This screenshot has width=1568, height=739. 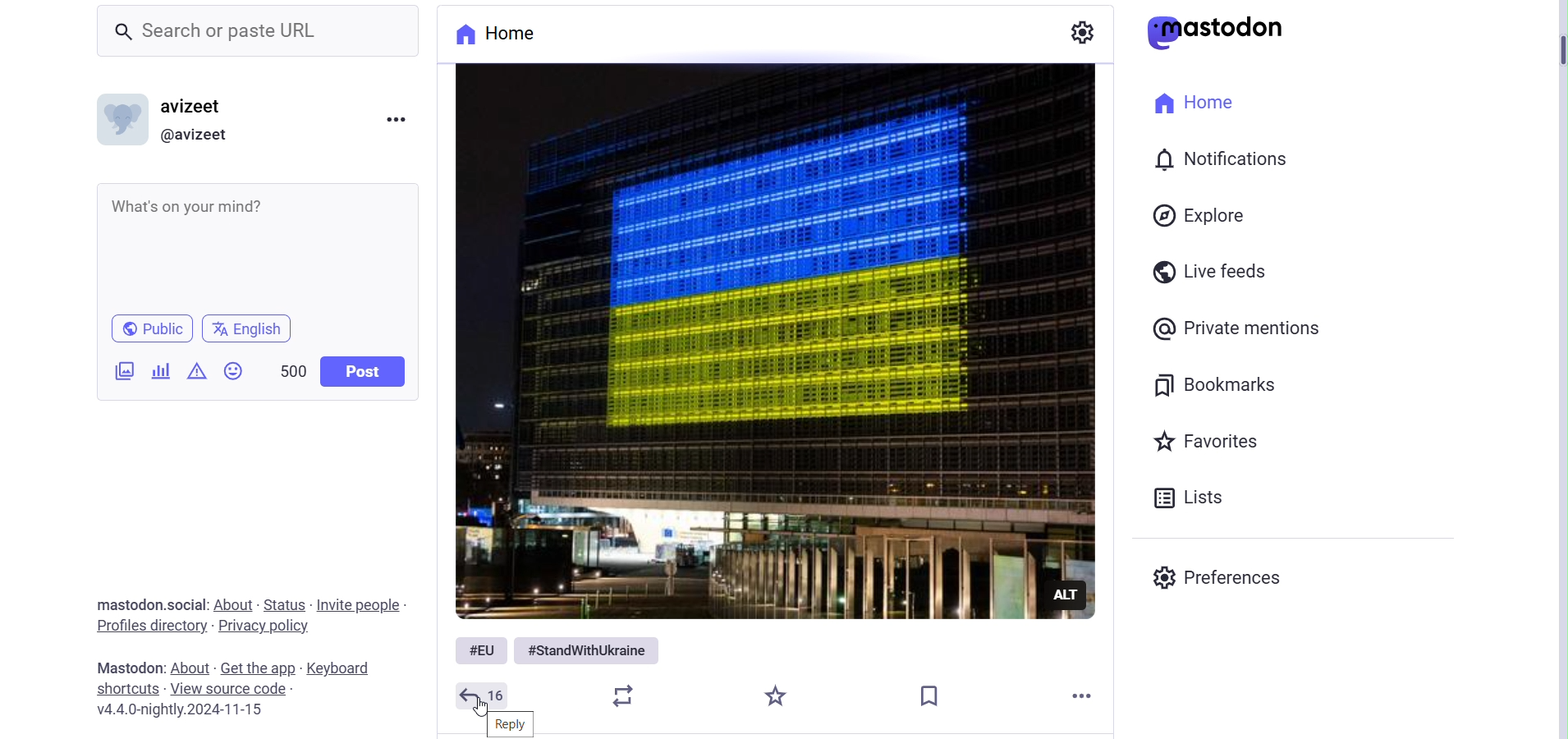 I want to click on Profile Directory, so click(x=155, y=627).